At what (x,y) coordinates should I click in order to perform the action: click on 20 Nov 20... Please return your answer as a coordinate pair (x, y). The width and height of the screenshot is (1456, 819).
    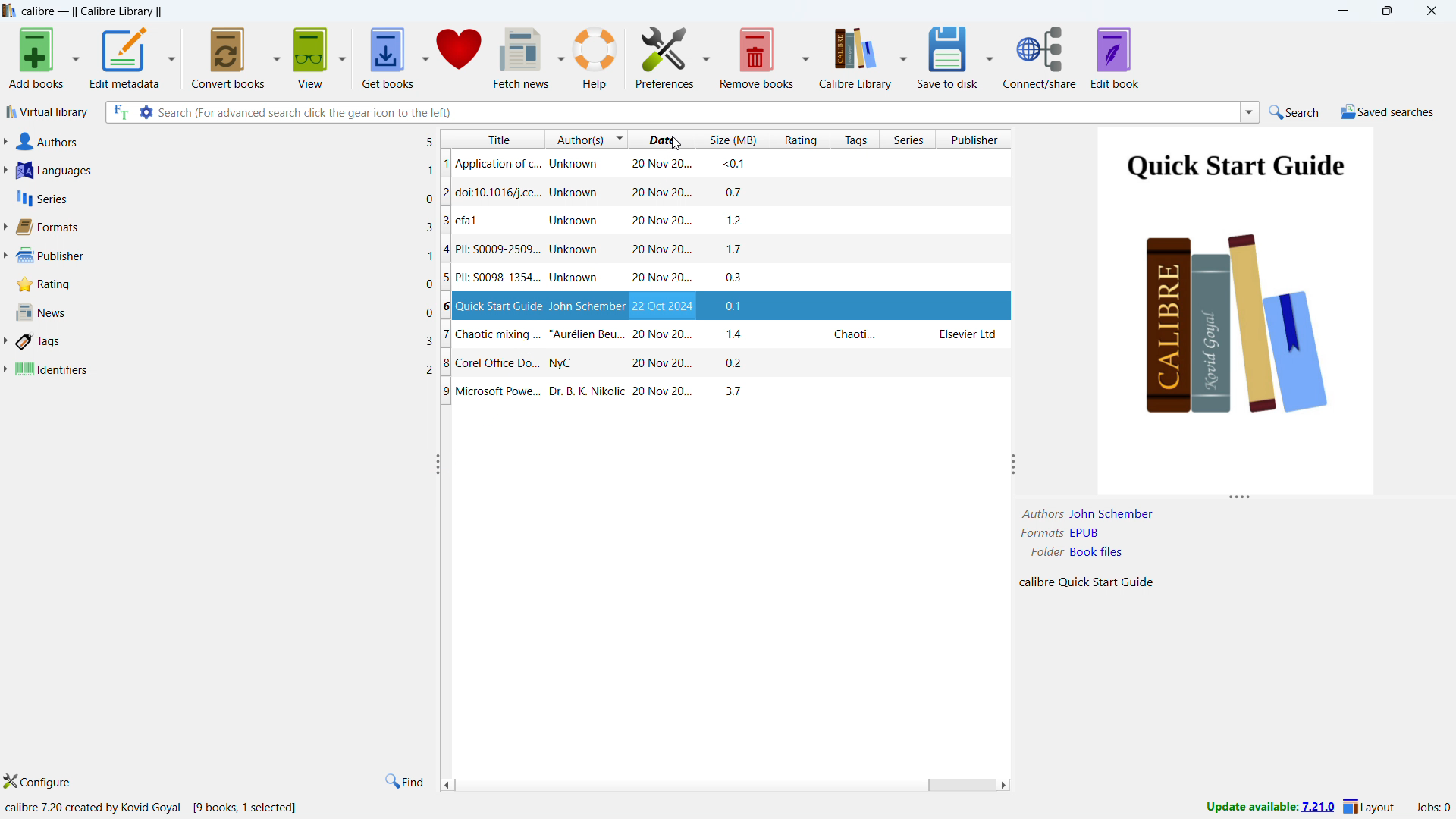
    Looking at the image, I should click on (664, 336).